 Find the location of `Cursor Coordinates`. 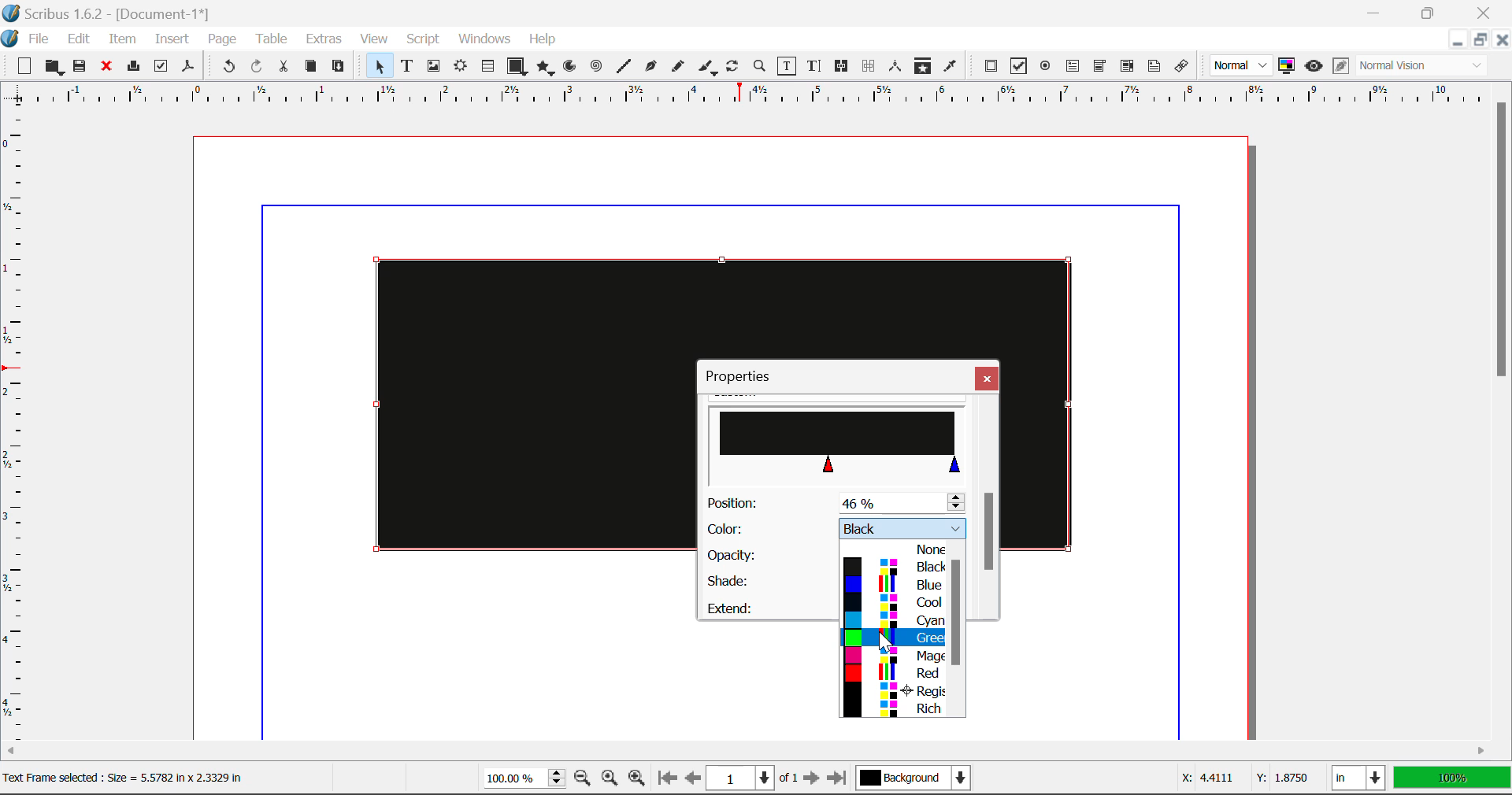

Cursor Coordinates is located at coordinates (1241, 778).